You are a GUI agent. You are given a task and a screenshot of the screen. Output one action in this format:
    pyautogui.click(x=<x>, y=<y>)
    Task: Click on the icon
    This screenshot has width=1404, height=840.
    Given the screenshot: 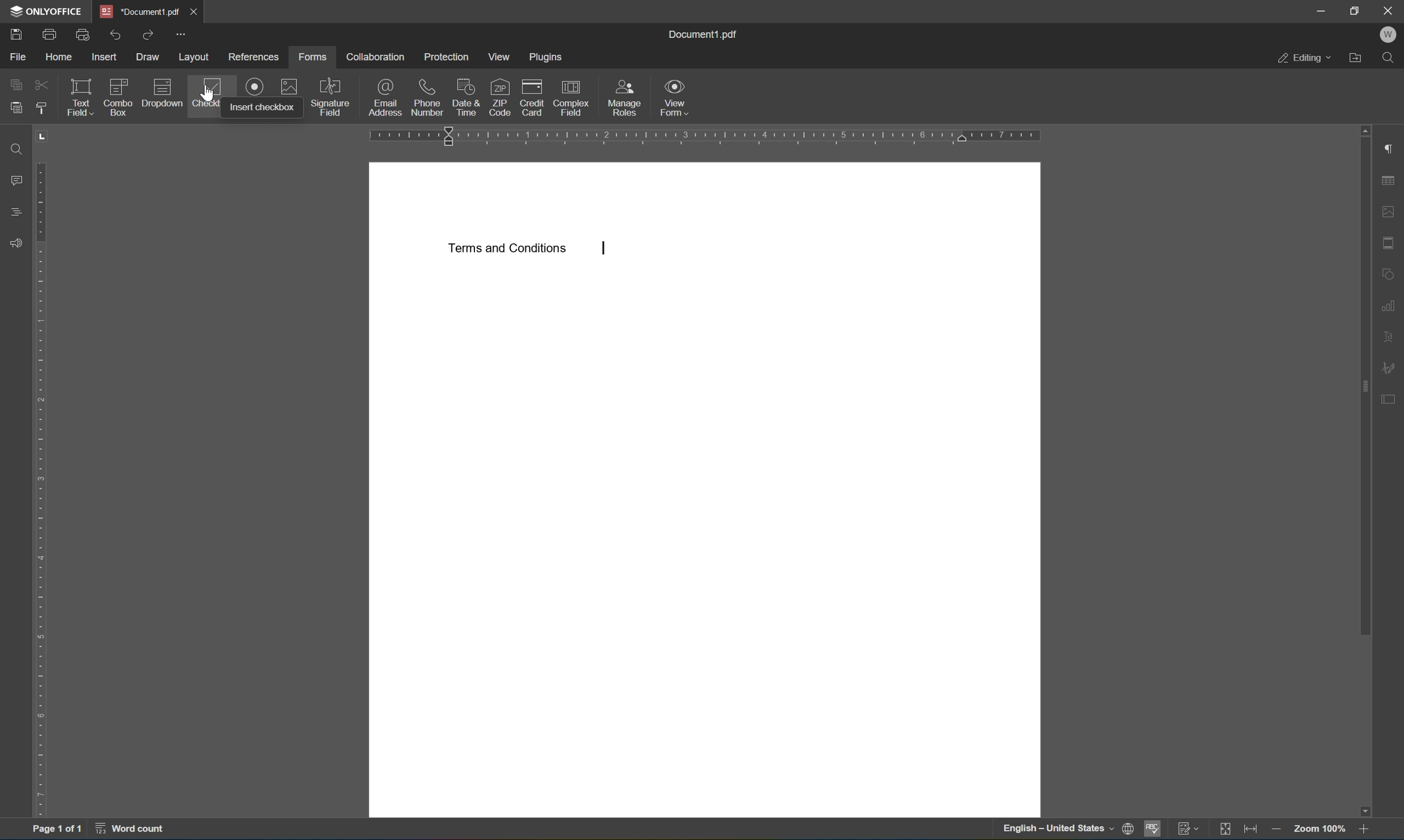 What is the action you would take?
    pyautogui.click(x=288, y=87)
    